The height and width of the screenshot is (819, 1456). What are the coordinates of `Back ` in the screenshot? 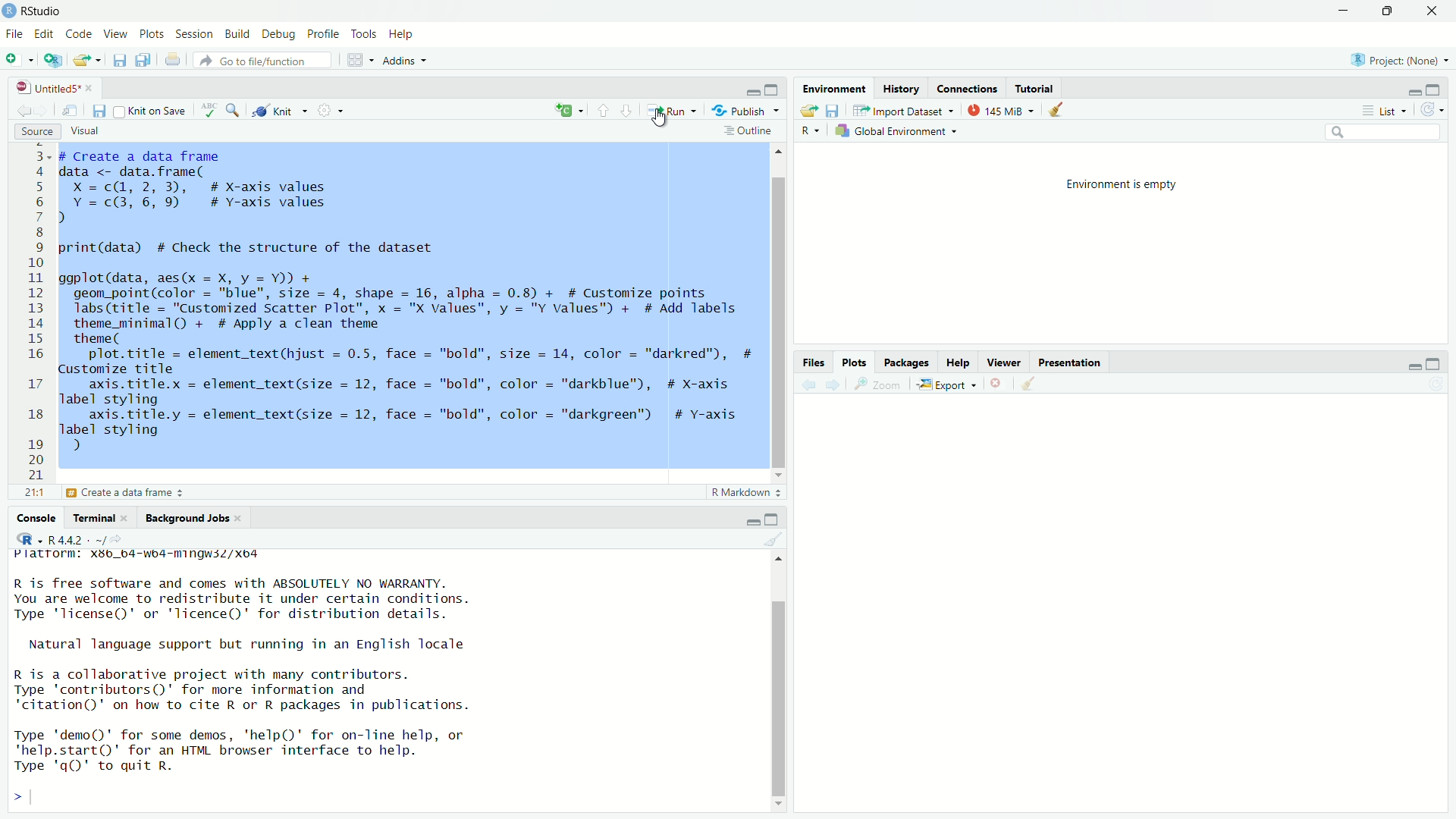 It's located at (808, 384).